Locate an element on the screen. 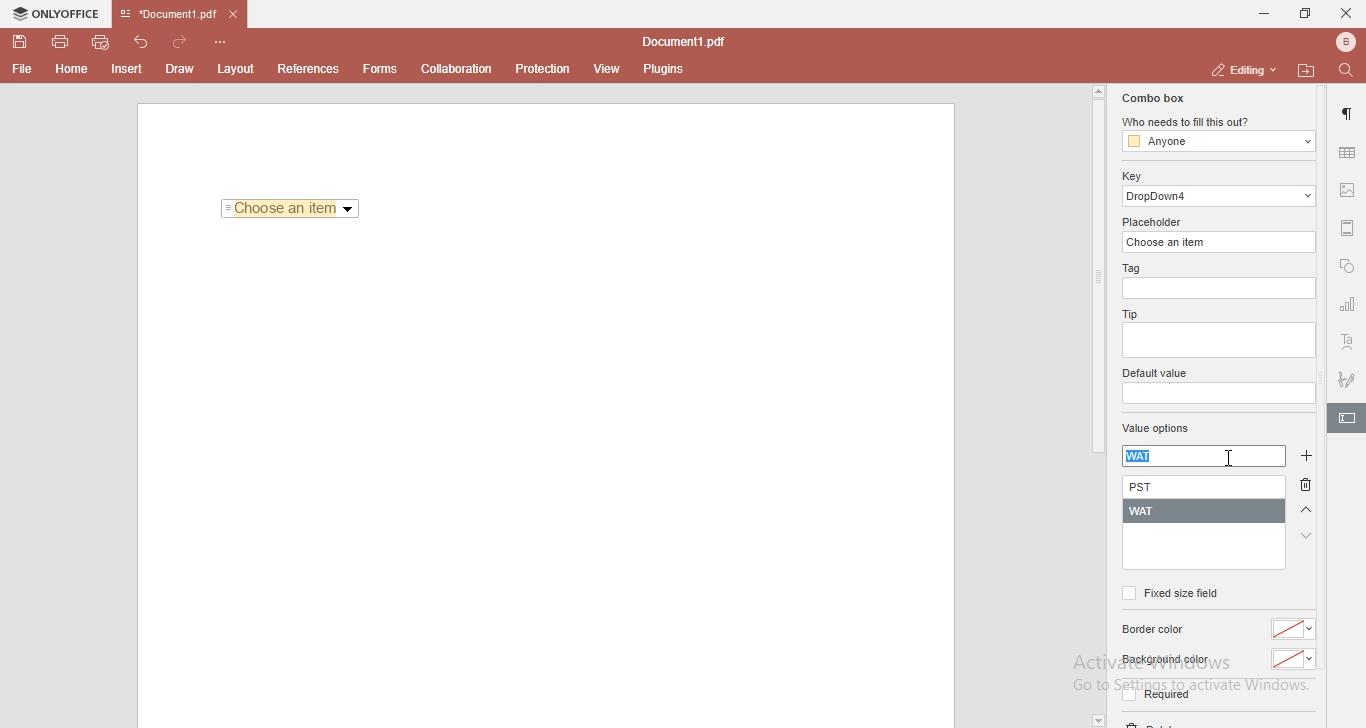 The height and width of the screenshot is (728, 1366). Home is located at coordinates (73, 72).